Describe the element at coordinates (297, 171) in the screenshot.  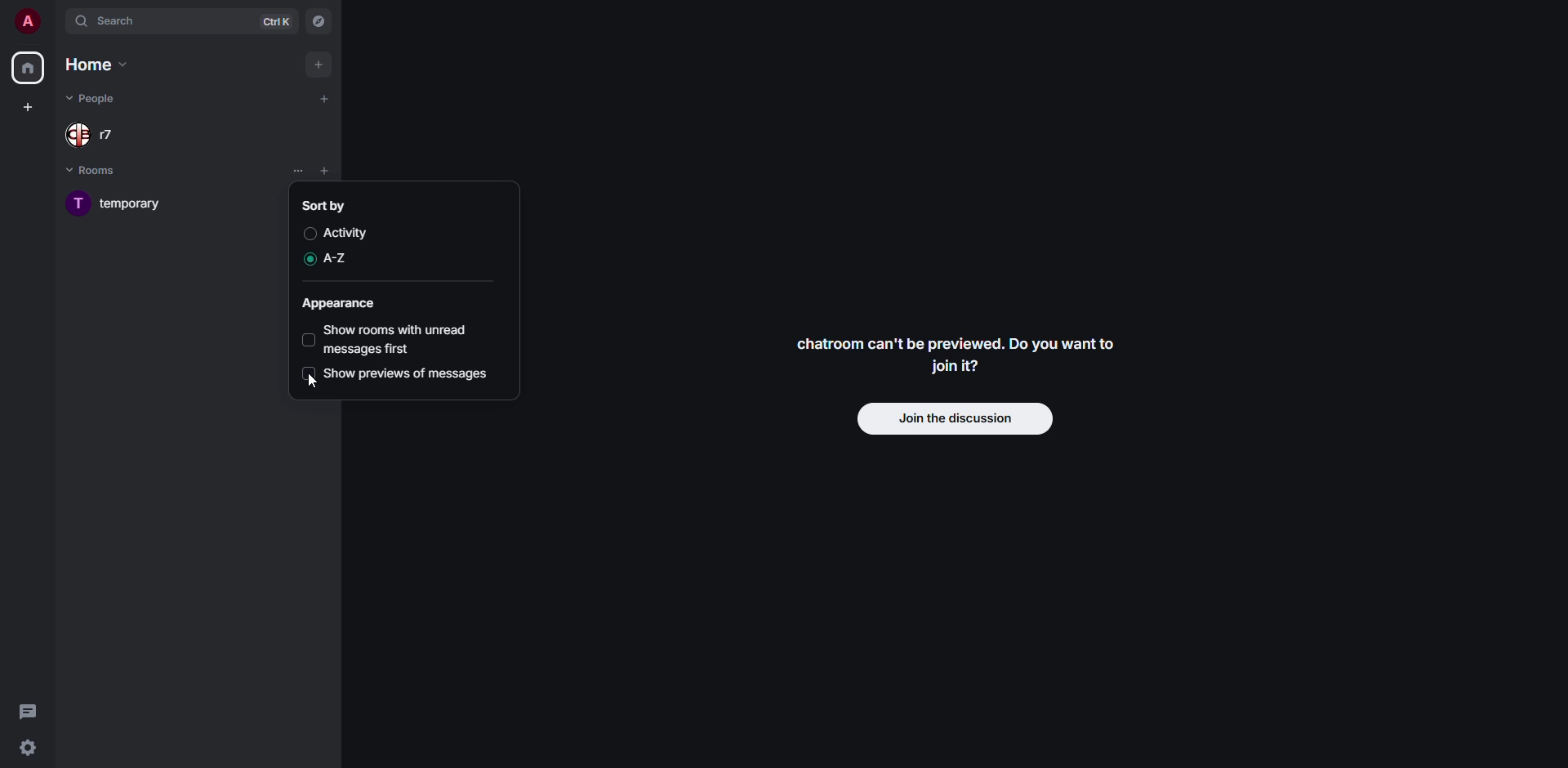
I see `list options` at that location.